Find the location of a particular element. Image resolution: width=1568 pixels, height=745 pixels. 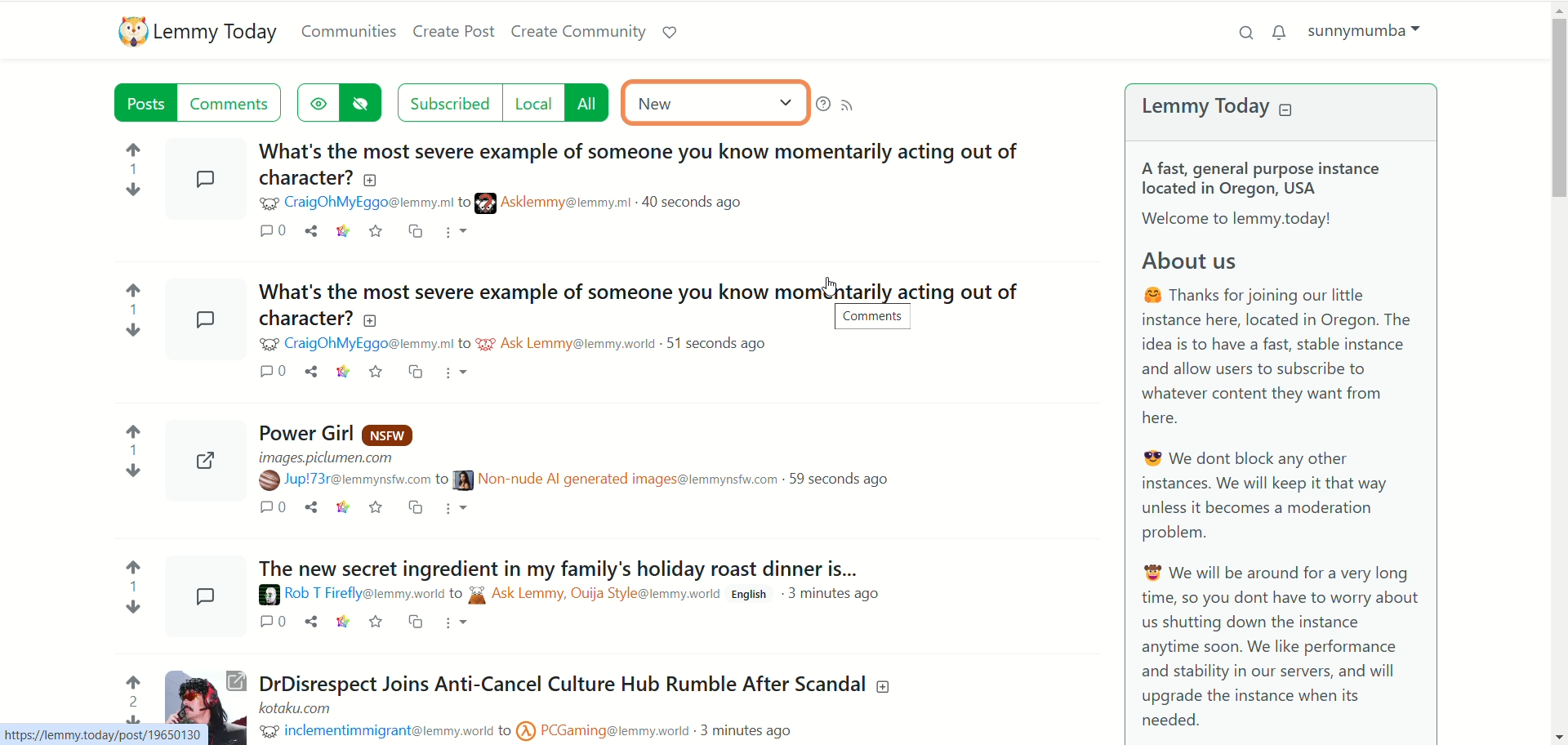

local is located at coordinates (530, 103).